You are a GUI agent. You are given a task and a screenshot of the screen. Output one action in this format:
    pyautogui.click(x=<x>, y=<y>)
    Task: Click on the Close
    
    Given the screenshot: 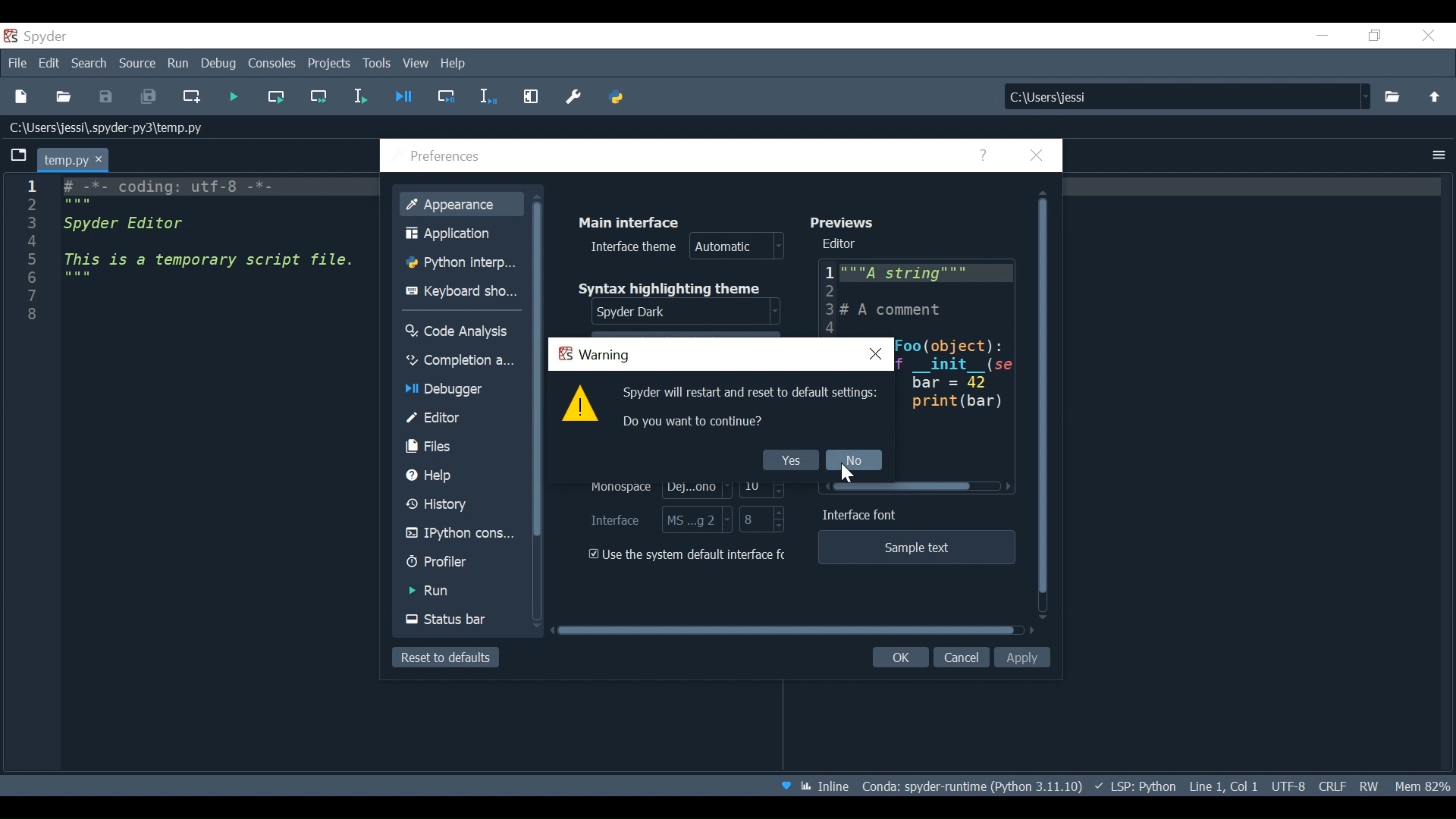 What is the action you would take?
    pyautogui.click(x=875, y=354)
    